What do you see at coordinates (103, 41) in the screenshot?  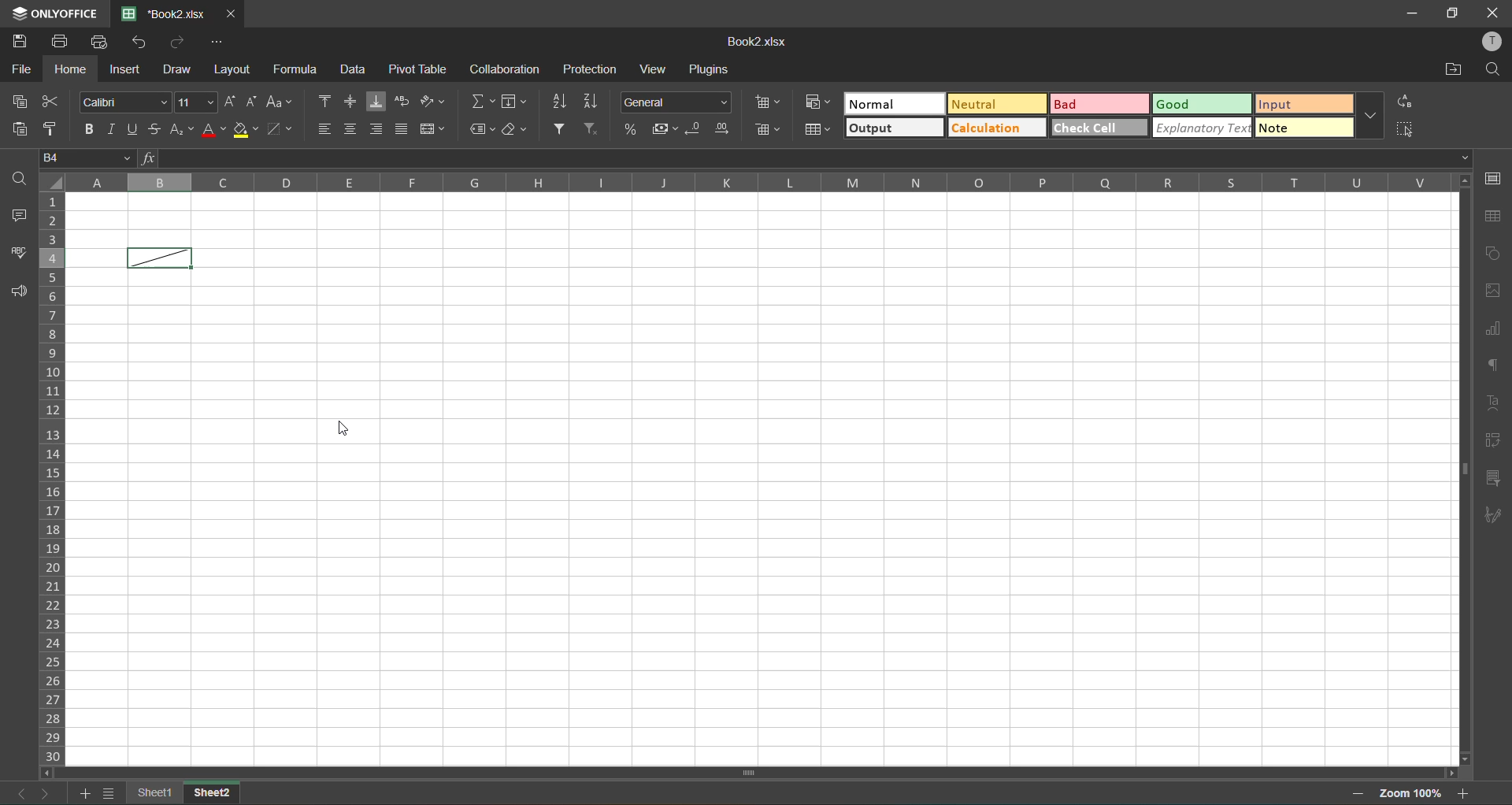 I see `quick print` at bounding box center [103, 41].